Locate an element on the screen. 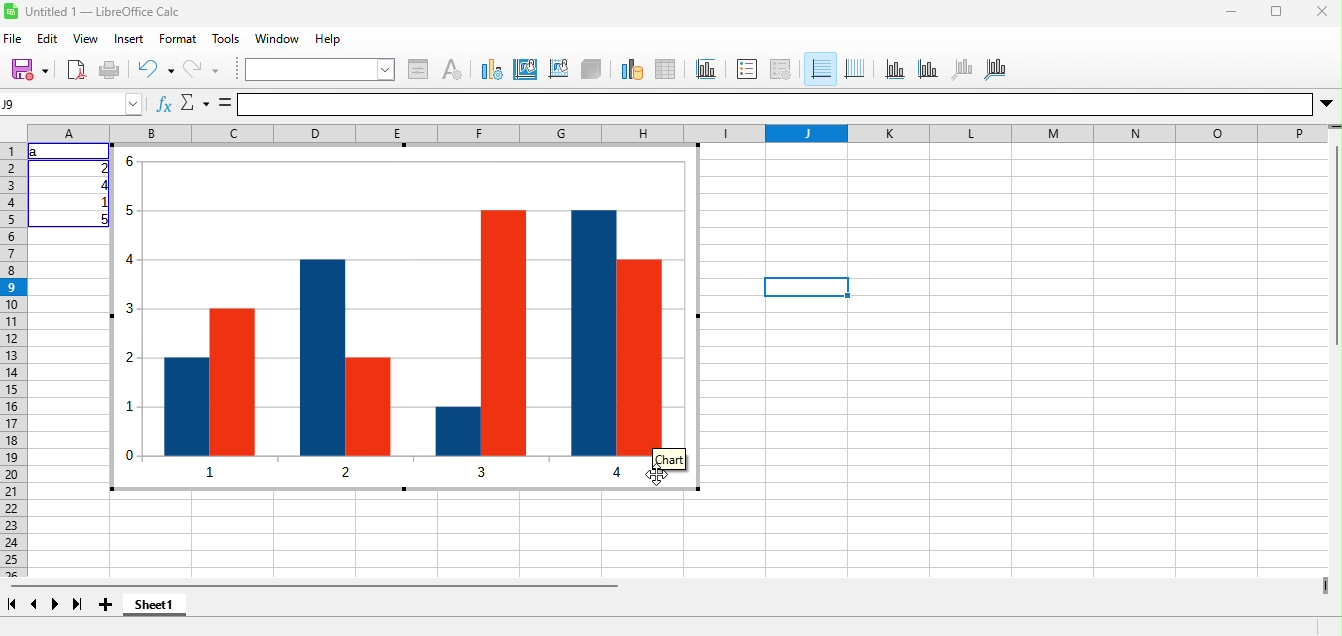 This screenshot has width=1342, height=636. tools is located at coordinates (227, 40).